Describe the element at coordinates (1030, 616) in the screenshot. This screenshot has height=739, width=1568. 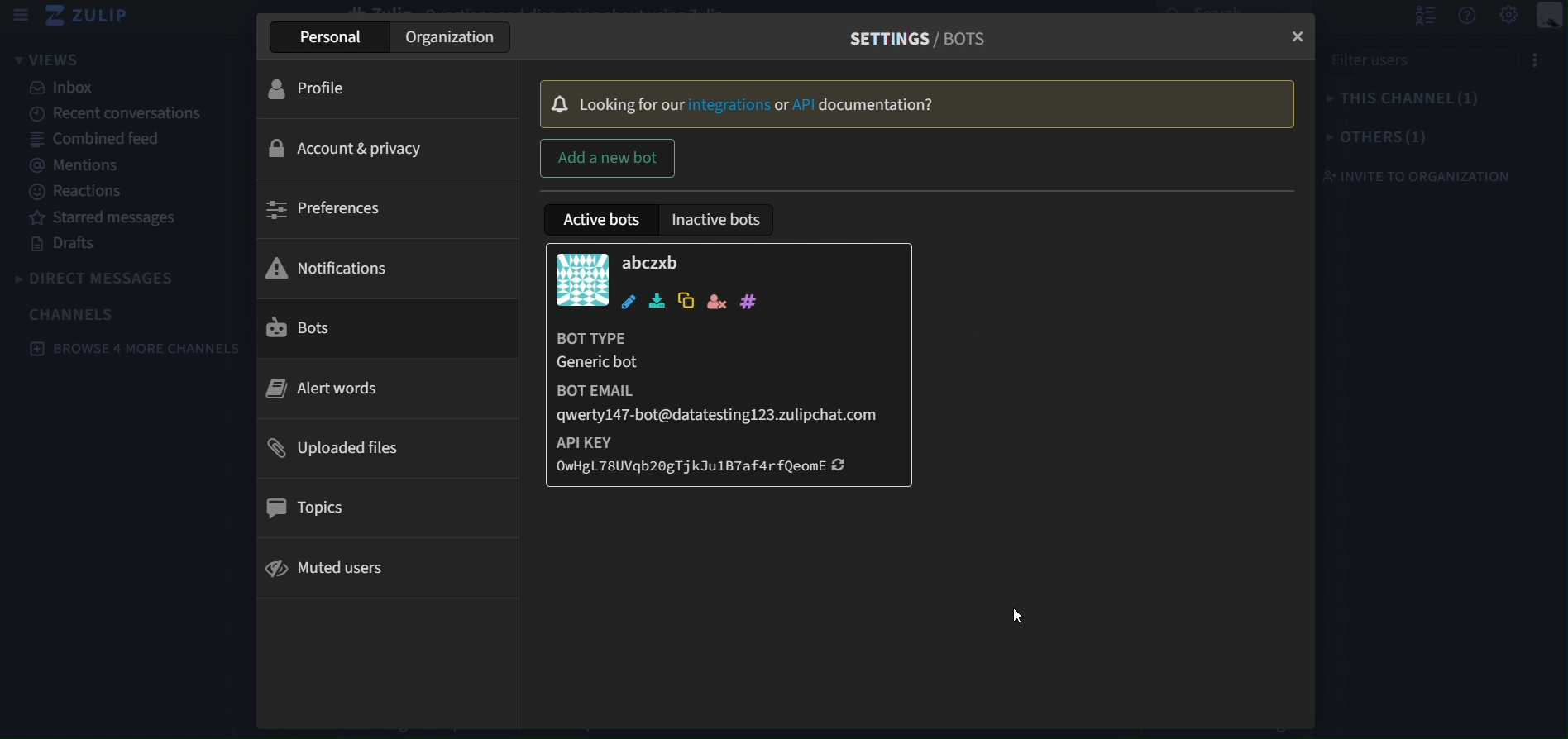
I see `cursor` at that location.